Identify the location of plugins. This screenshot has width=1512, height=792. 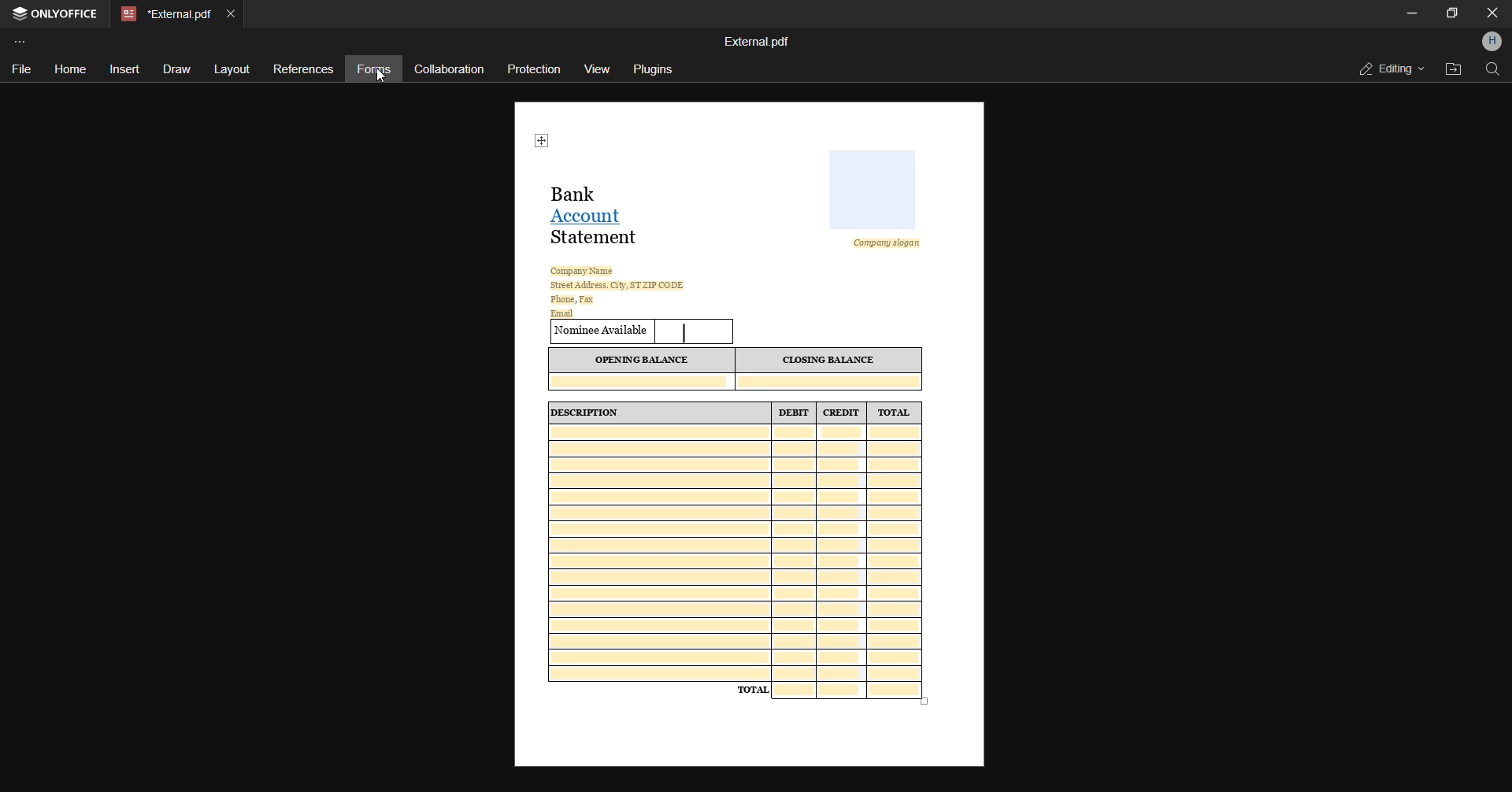
(653, 70).